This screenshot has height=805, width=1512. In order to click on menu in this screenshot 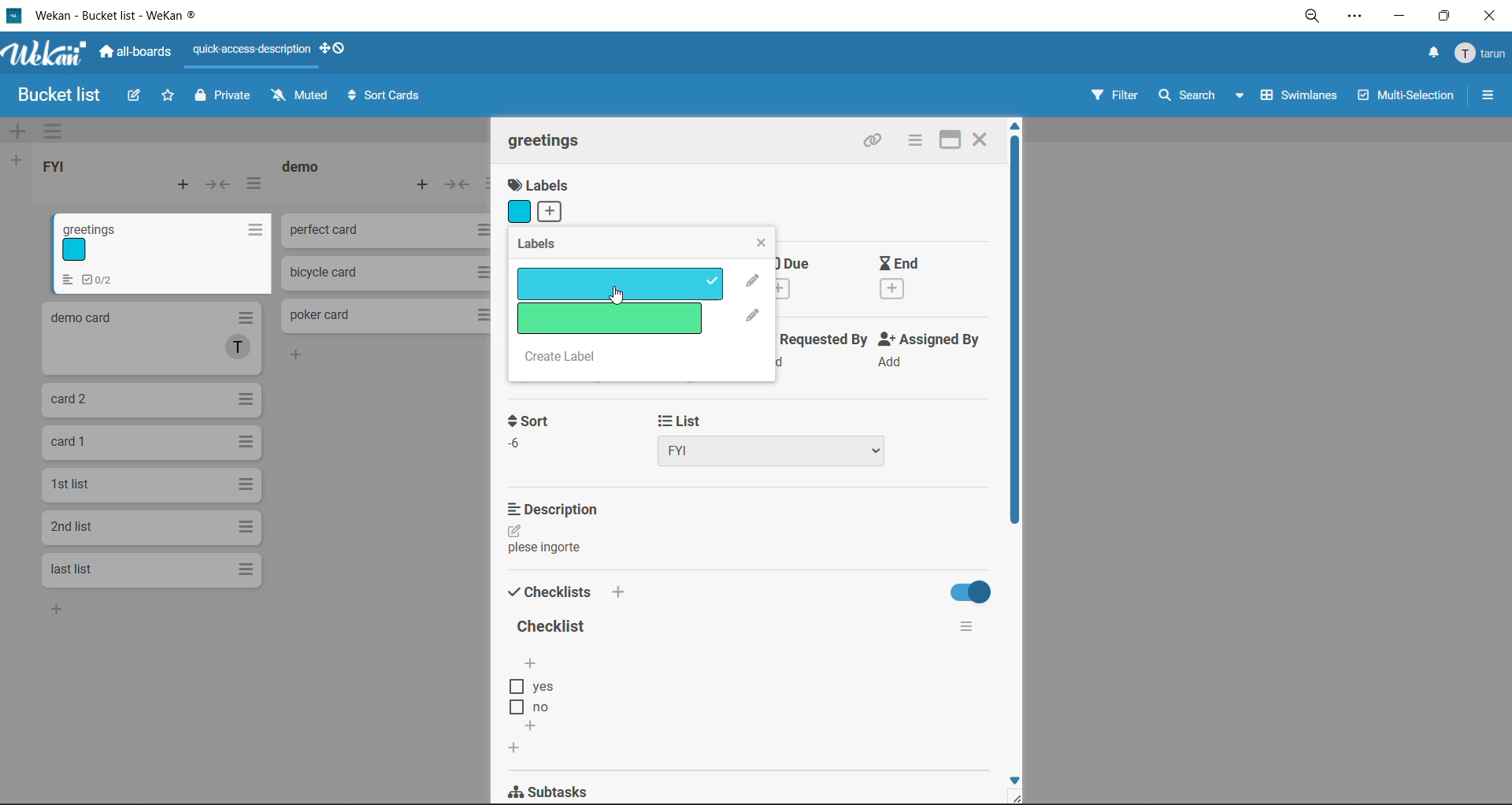, I will do `click(1483, 52)`.